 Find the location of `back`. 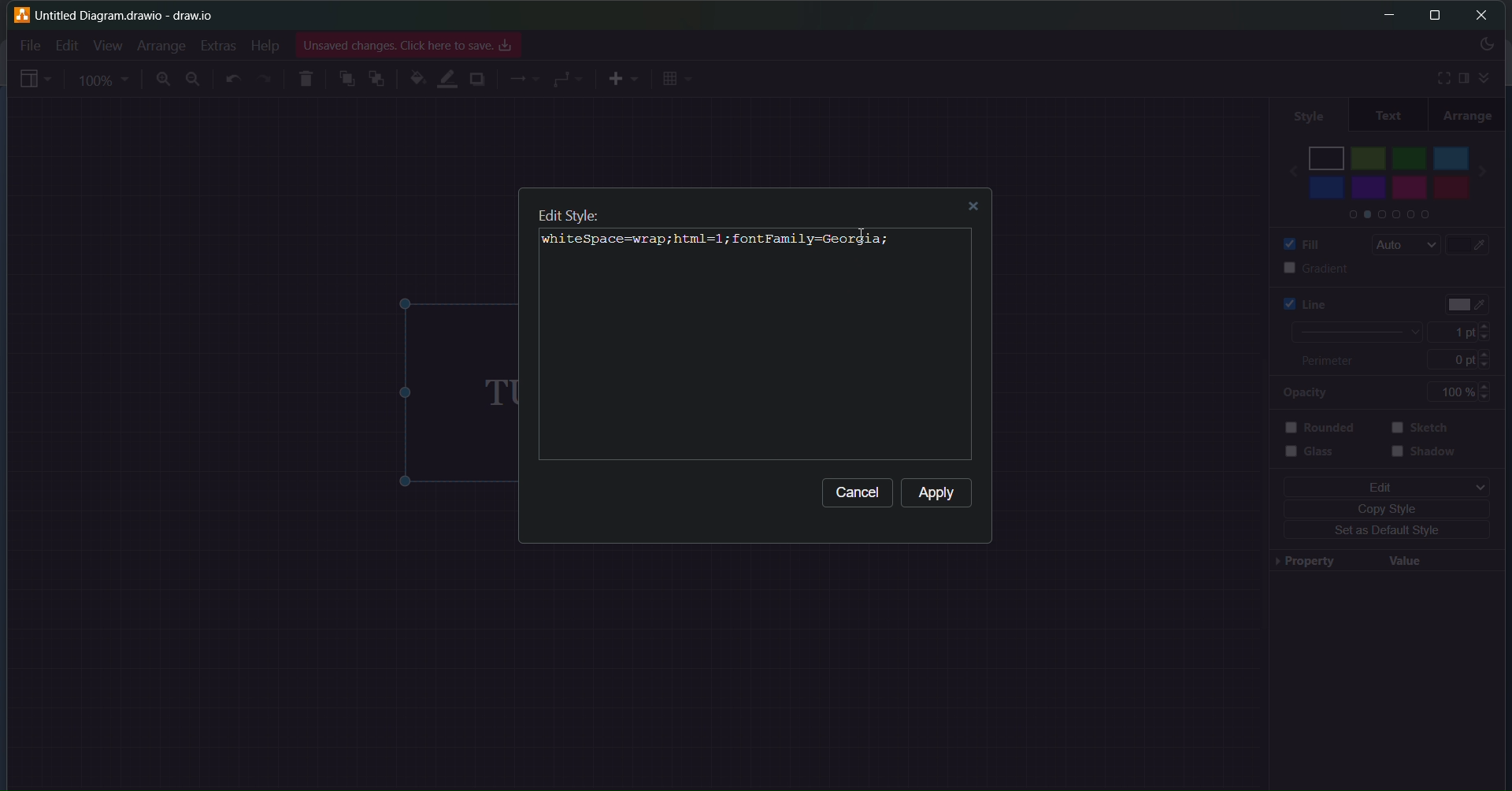

back is located at coordinates (1285, 166).